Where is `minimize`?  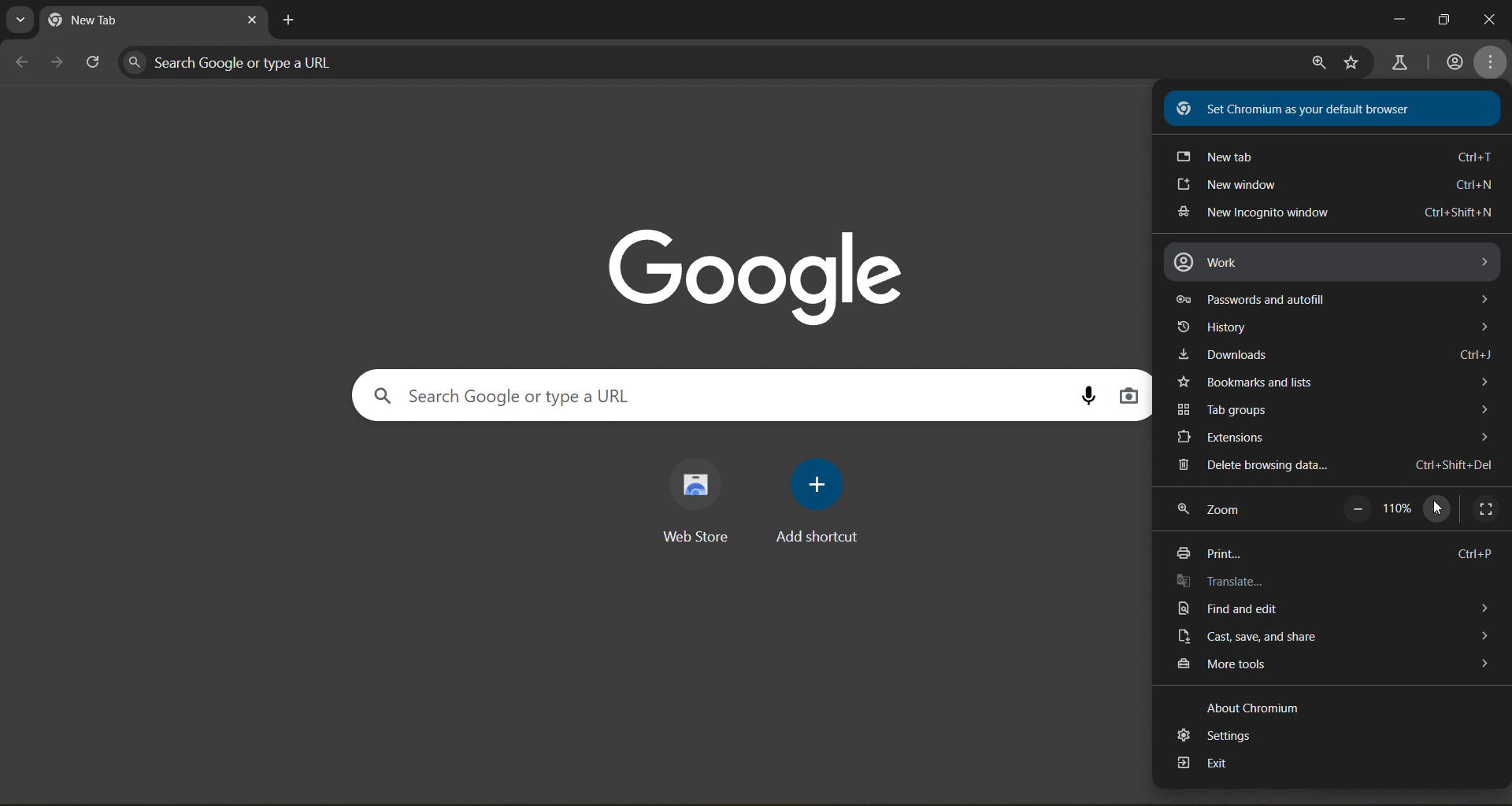
minimize is located at coordinates (1394, 20).